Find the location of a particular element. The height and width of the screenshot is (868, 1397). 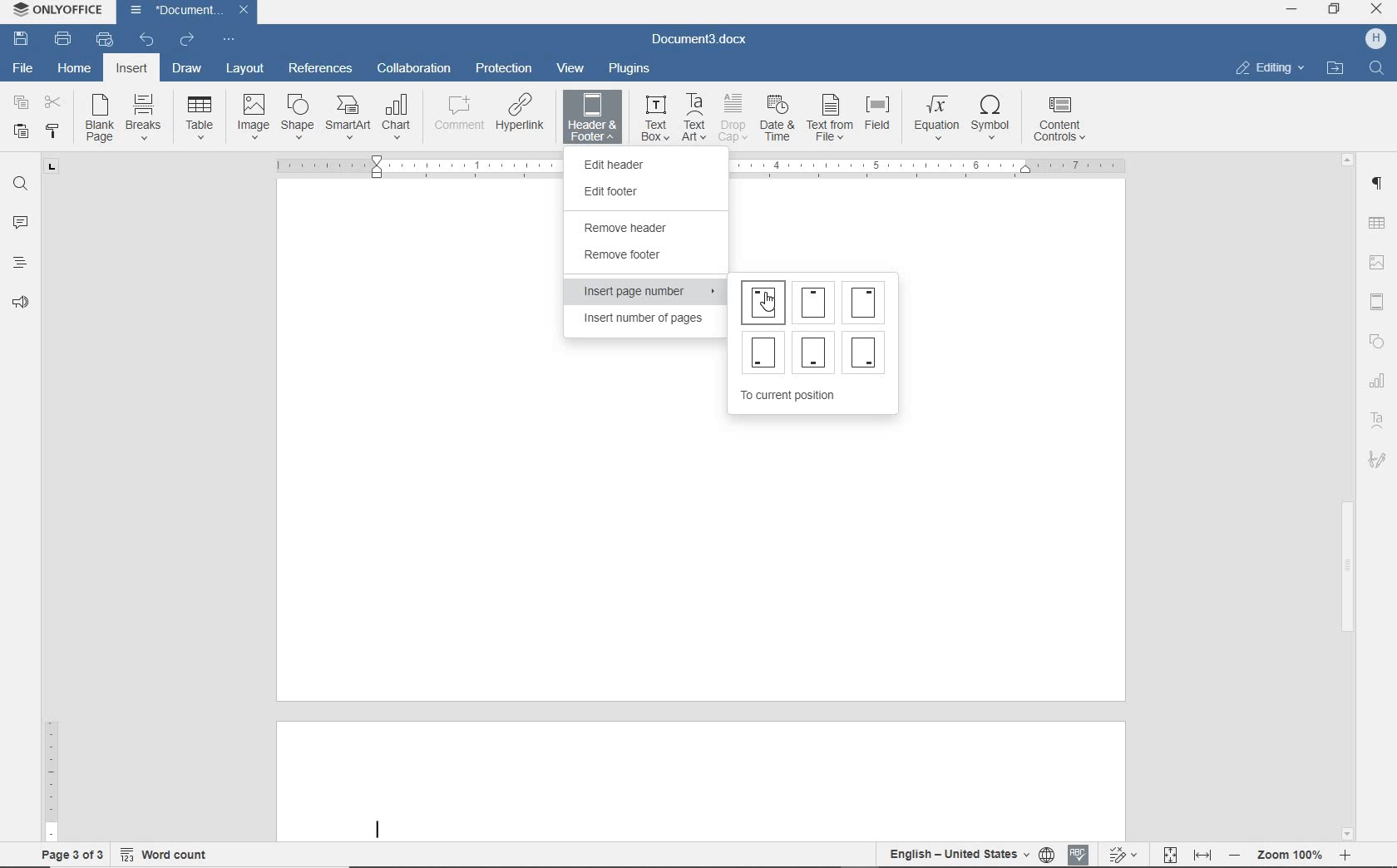

COLLABORATION is located at coordinates (414, 71).